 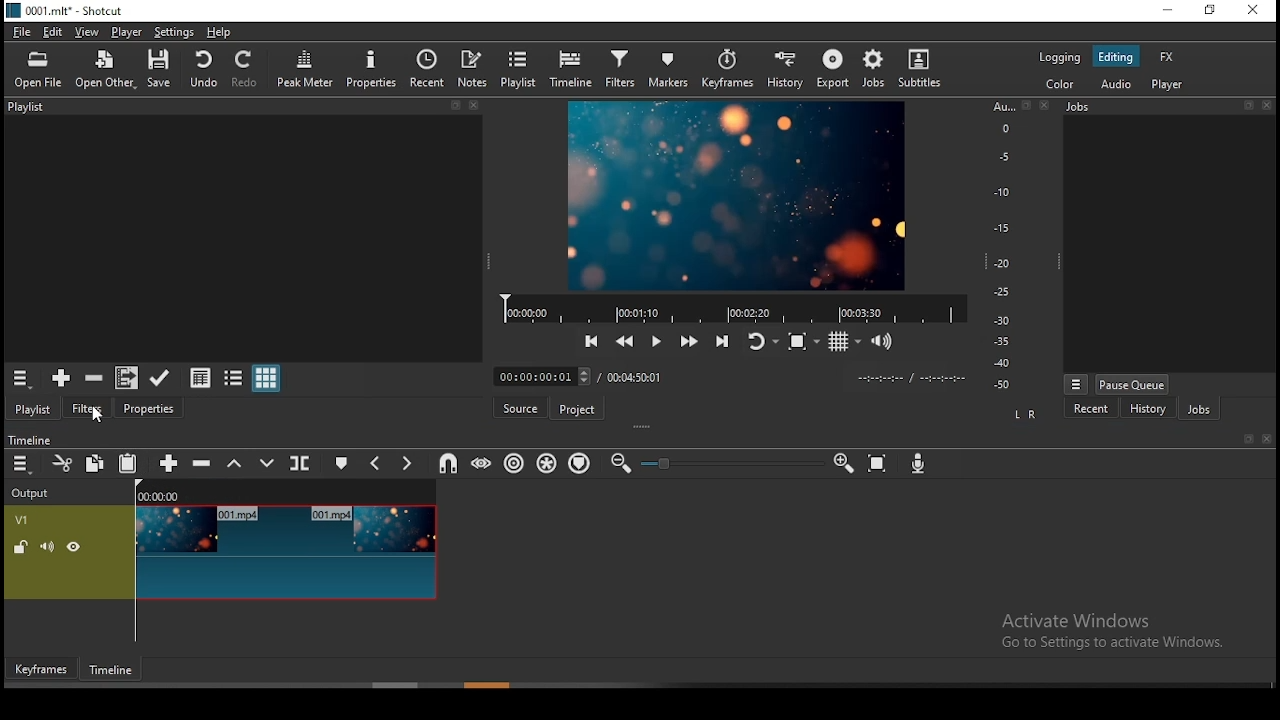 What do you see at coordinates (522, 71) in the screenshot?
I see `playlist` at bounding box center [522, 71].